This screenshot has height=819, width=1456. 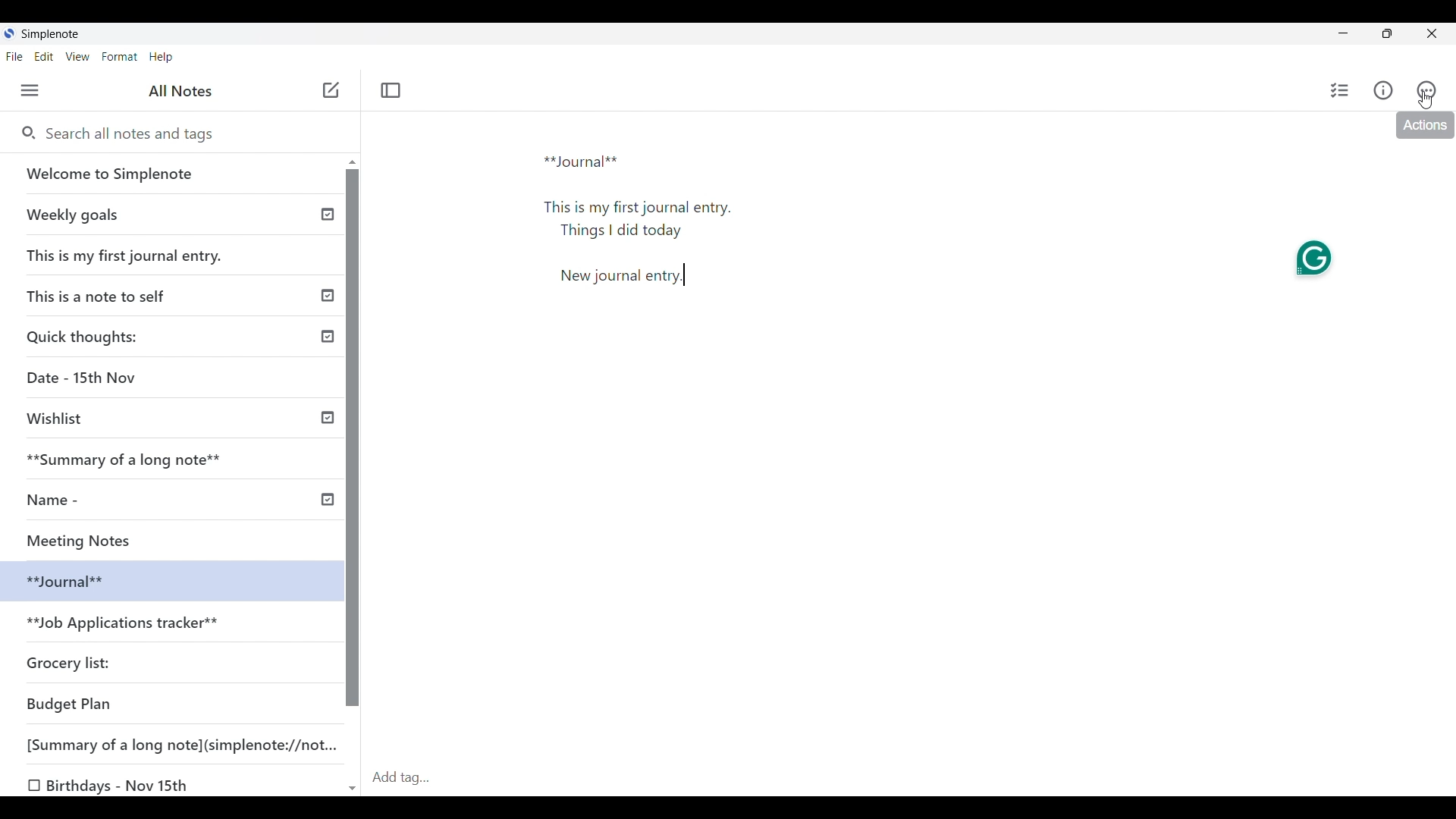 What do you see at coordinates (134, 459) in the screenshot?
I see `**Summary of a long note**` at bounding box center [134, 459].